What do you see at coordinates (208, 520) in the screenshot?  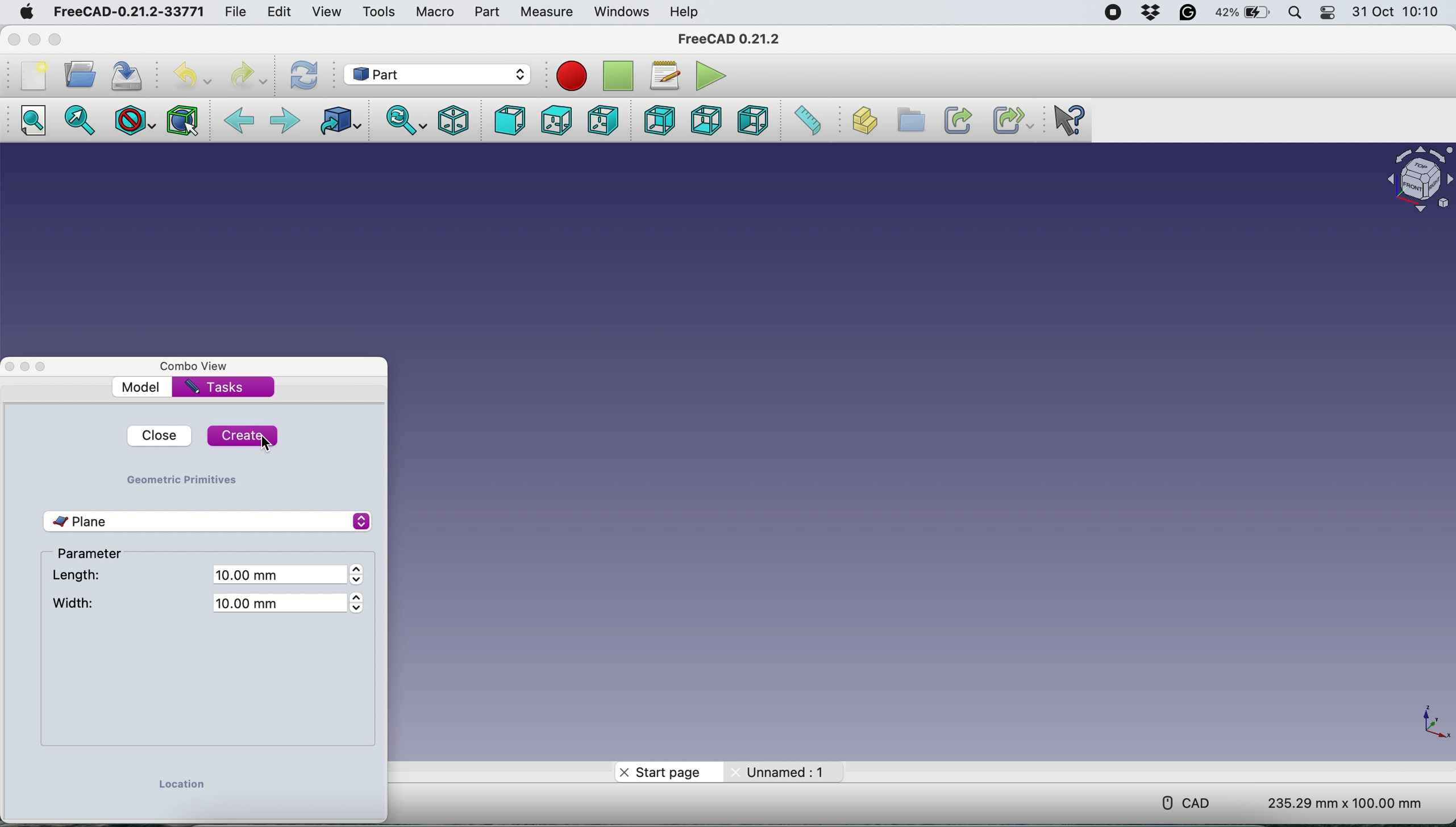 I see `plane` at bounding box center [208, 520].